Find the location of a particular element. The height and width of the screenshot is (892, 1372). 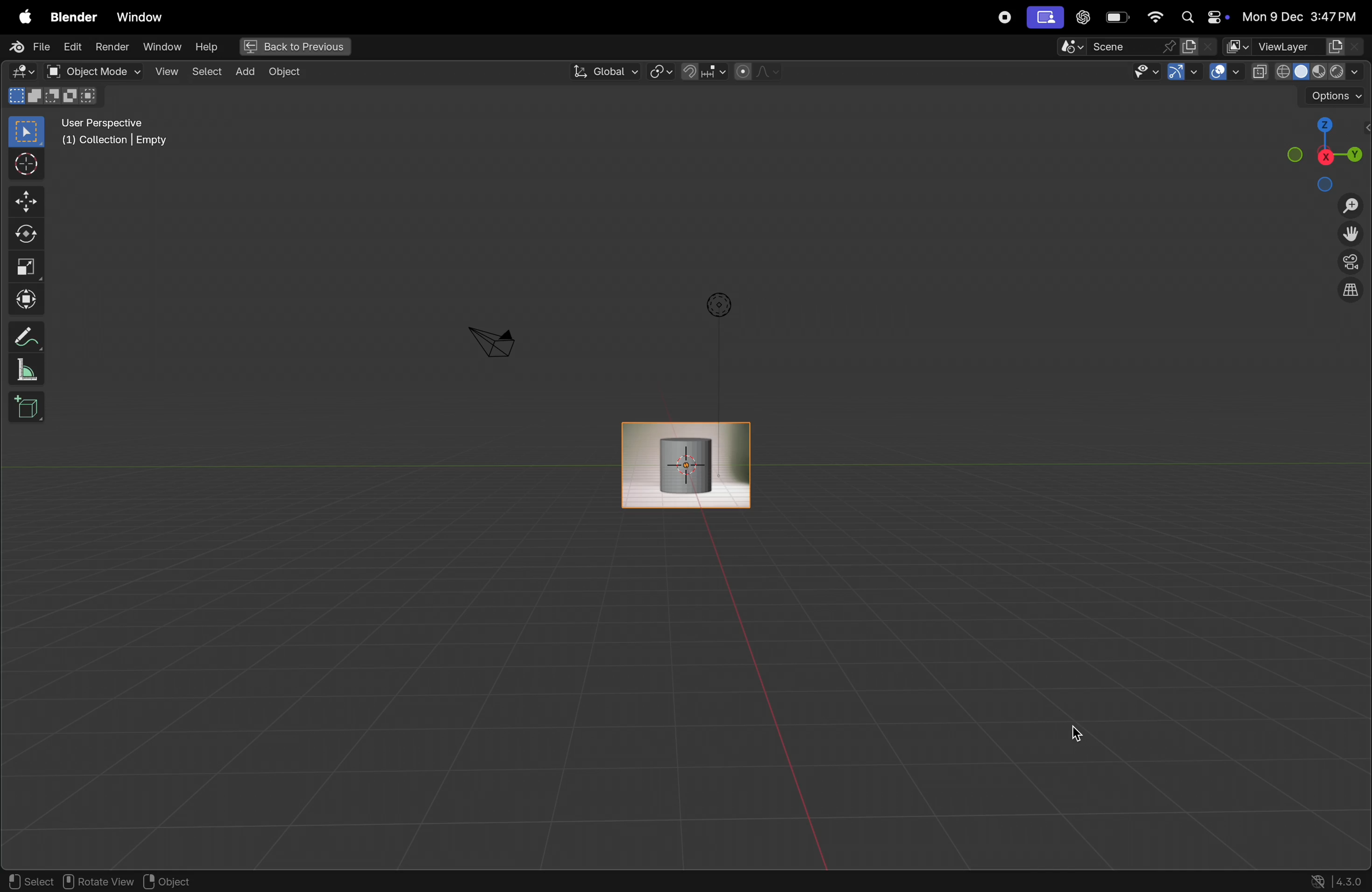

user perspective is located at coordinates (123, 134).